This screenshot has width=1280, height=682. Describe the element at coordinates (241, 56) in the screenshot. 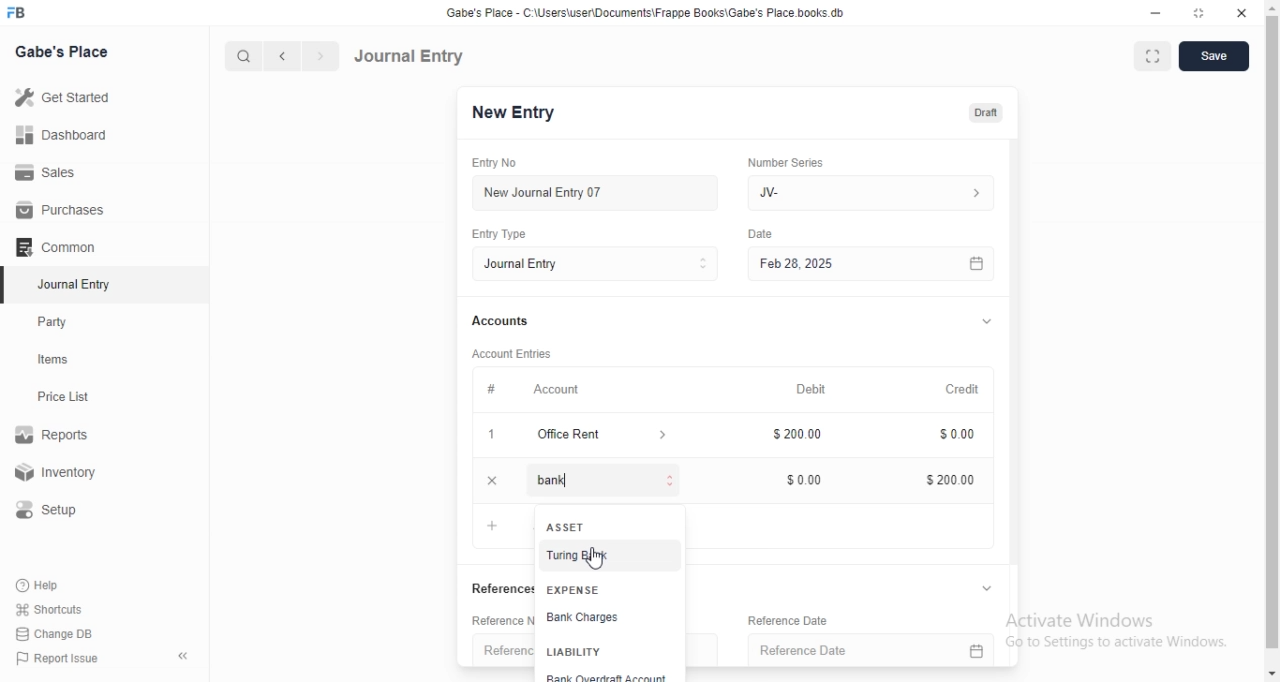

I see `search` at that location.